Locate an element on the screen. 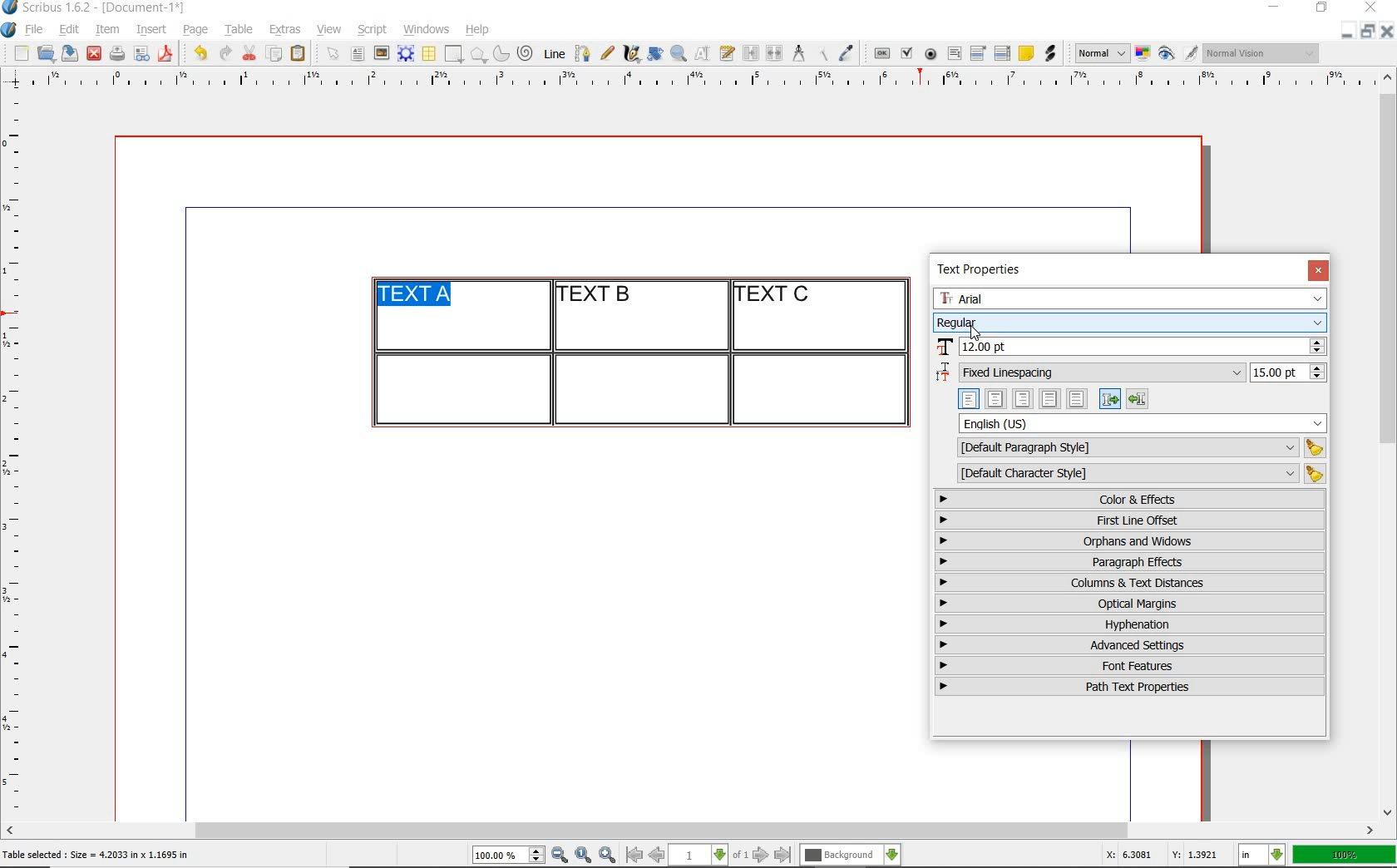 This screenshot has width=1397, height=868. toggle color management is located at coordinates (1144, 55).